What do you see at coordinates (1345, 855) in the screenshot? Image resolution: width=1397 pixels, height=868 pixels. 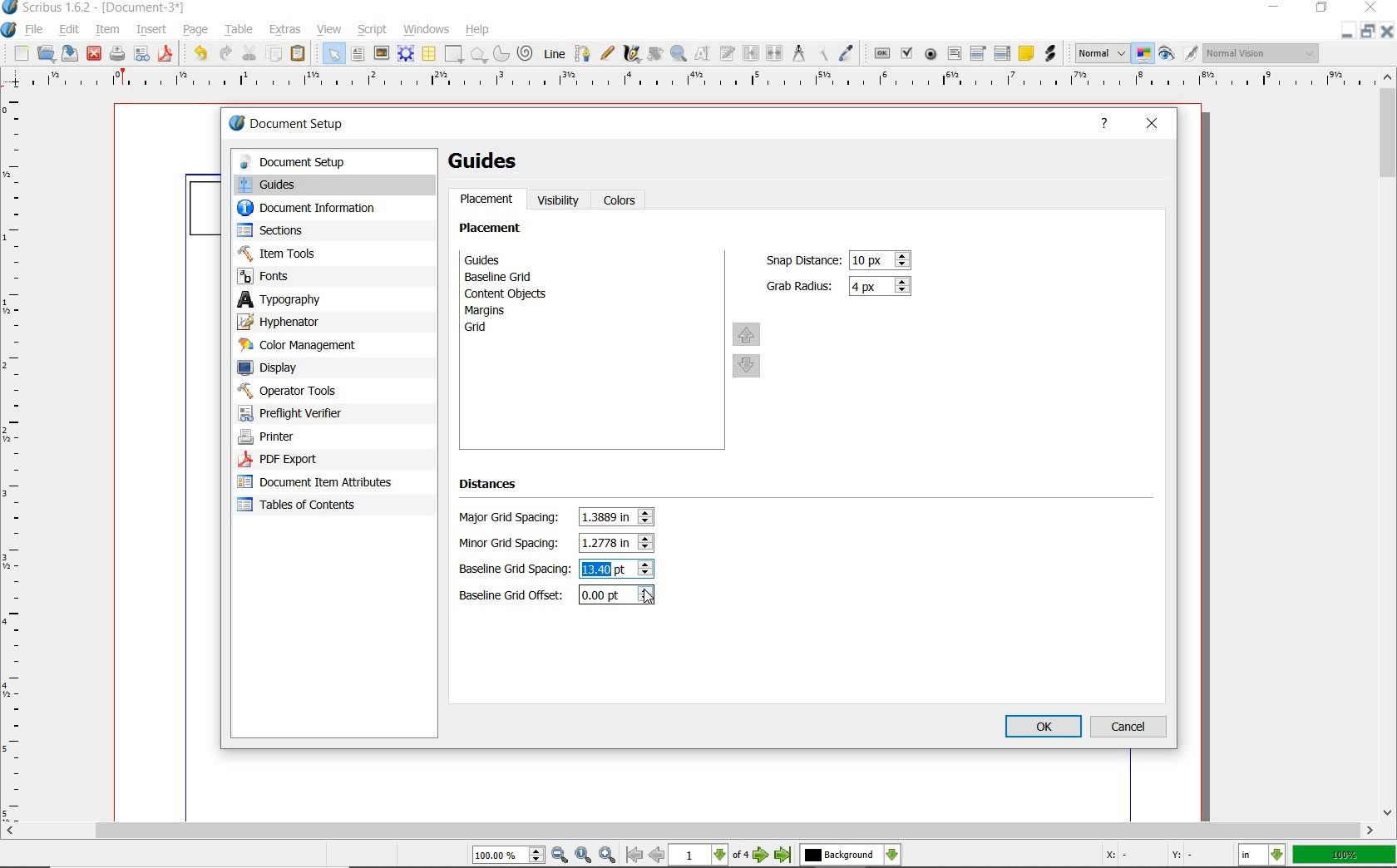 I see `100%` at bounding box center [1345, 855].